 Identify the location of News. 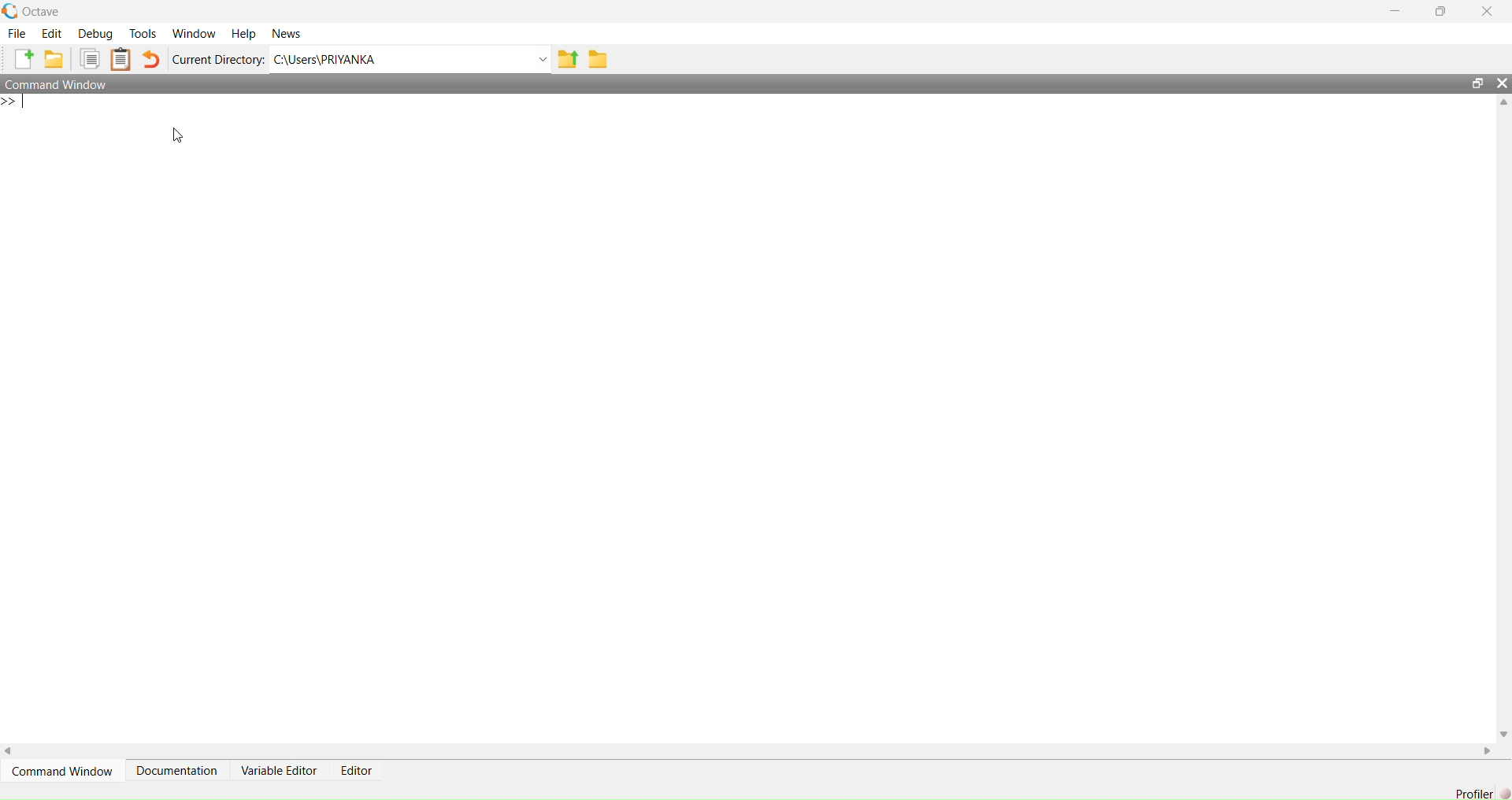
(286, 32).